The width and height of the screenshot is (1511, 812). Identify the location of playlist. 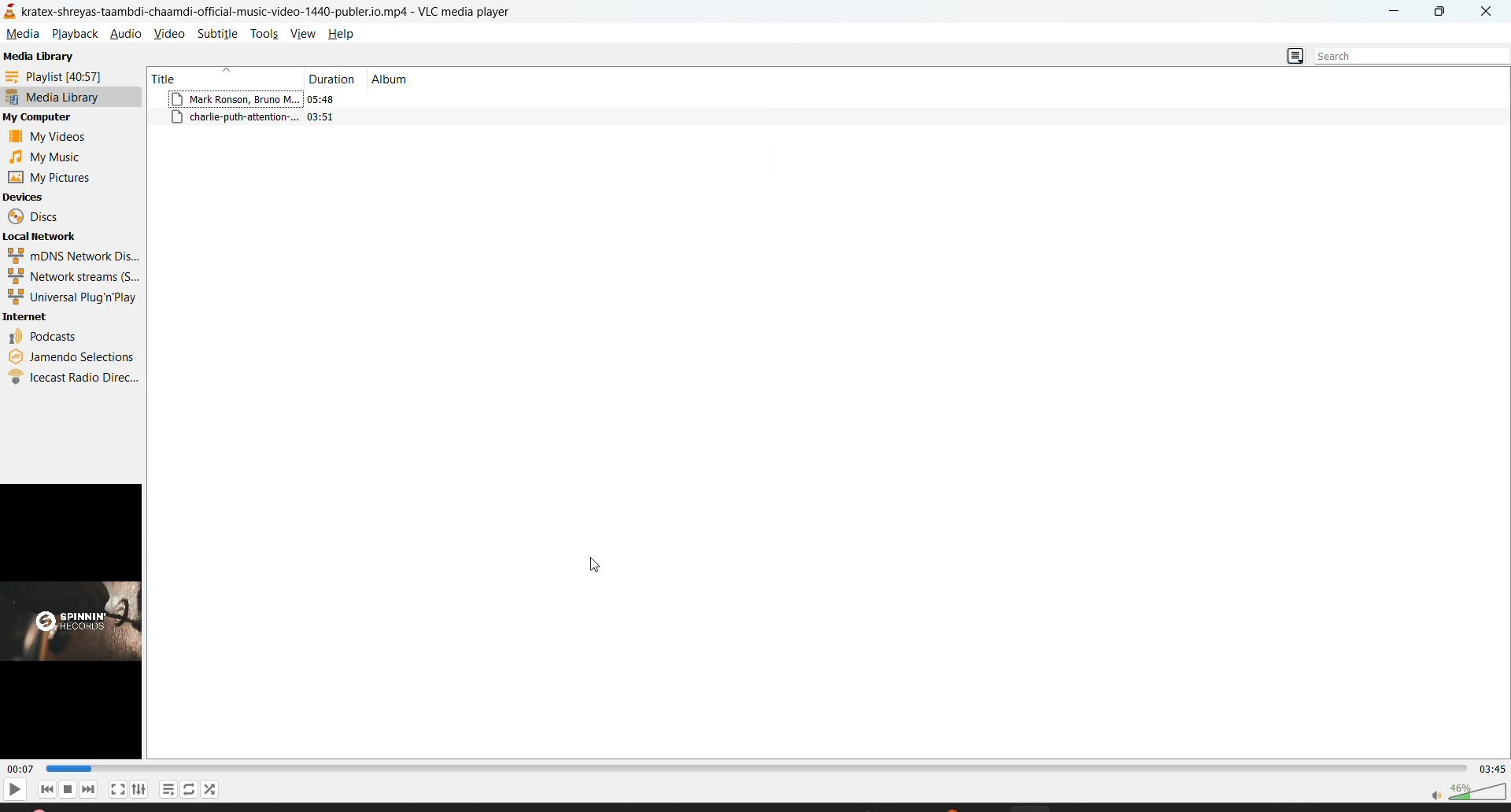
(63, 78).